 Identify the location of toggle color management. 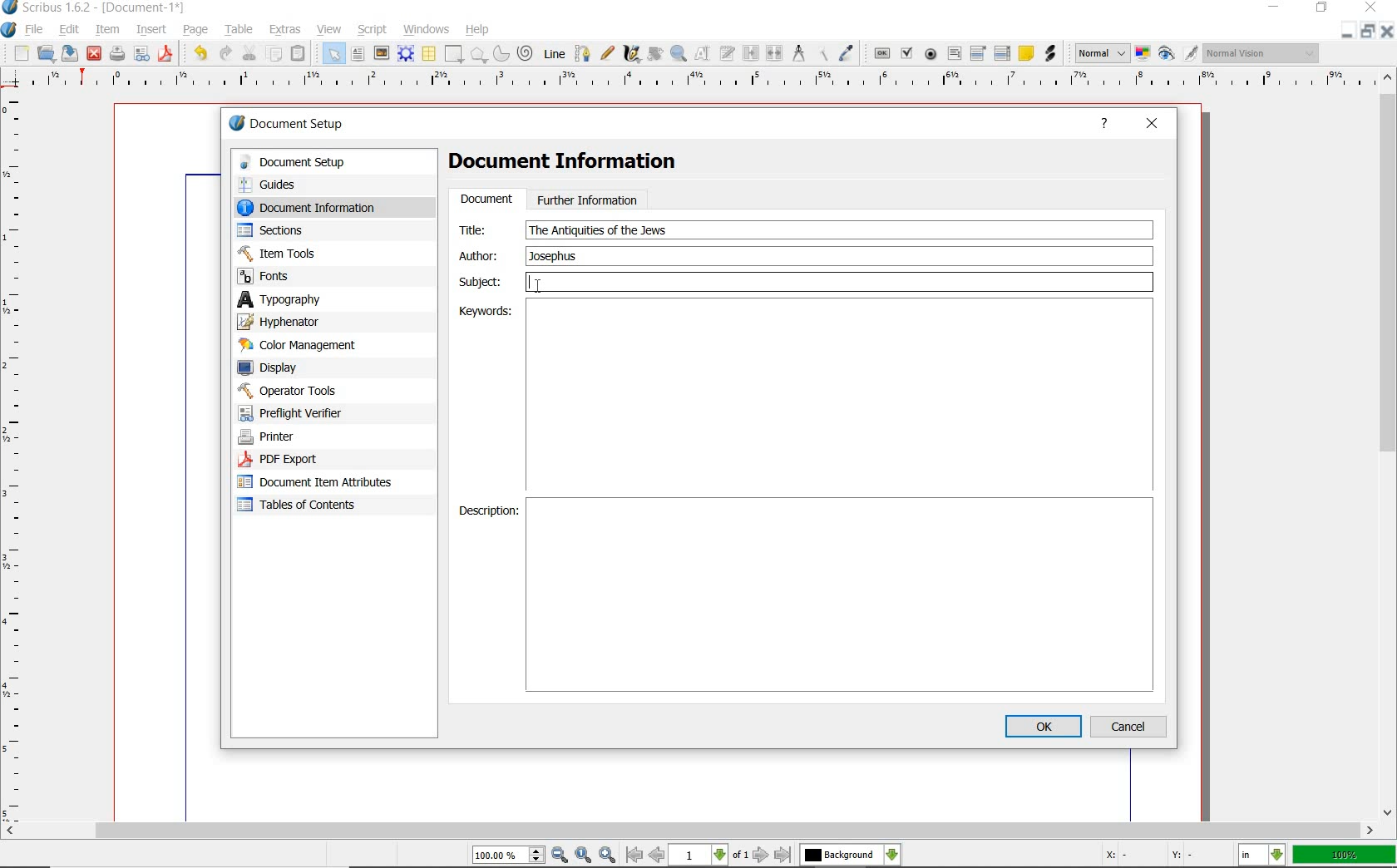
(1143, 53).